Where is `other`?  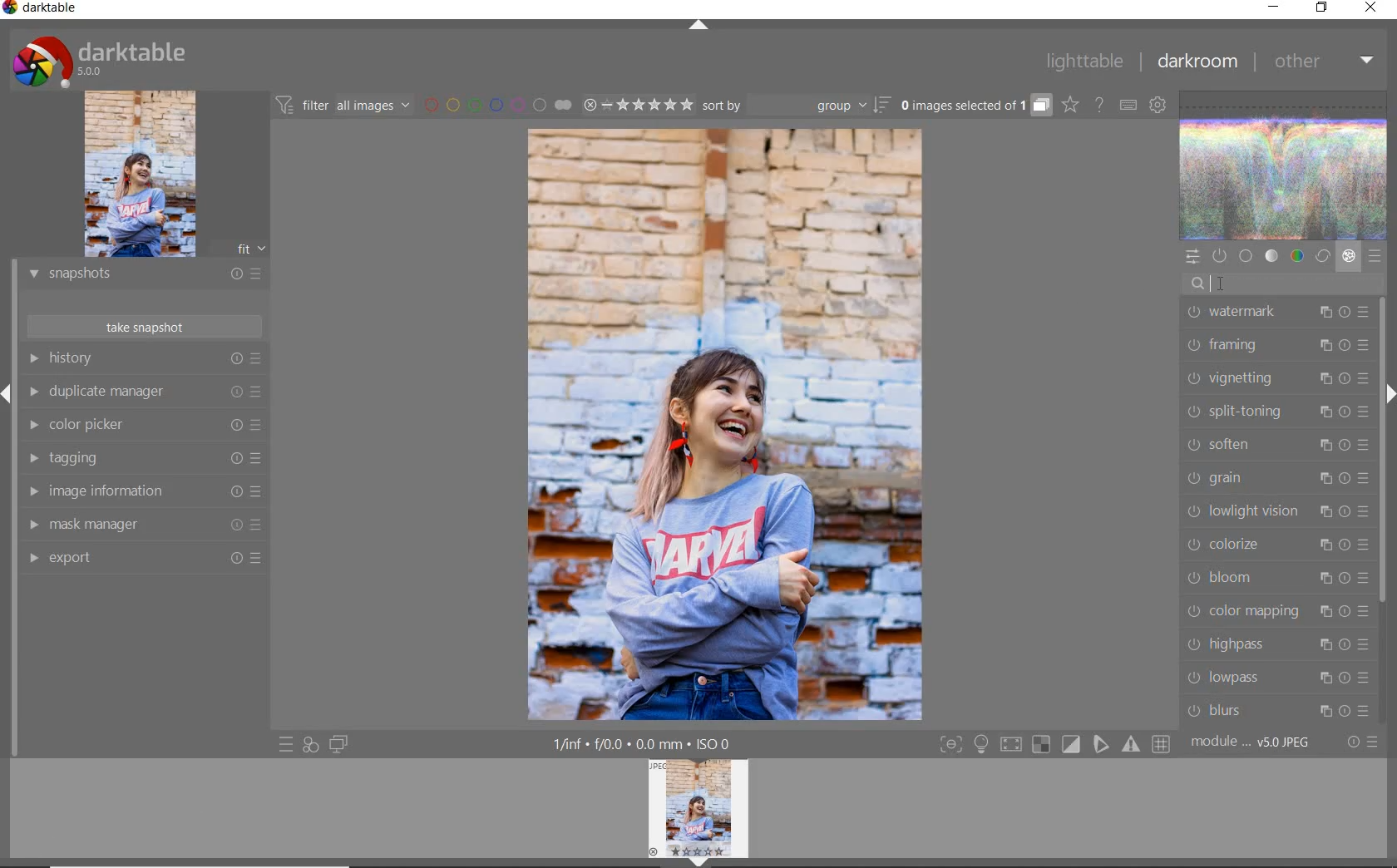 other is located at coordinates (1323, 65).